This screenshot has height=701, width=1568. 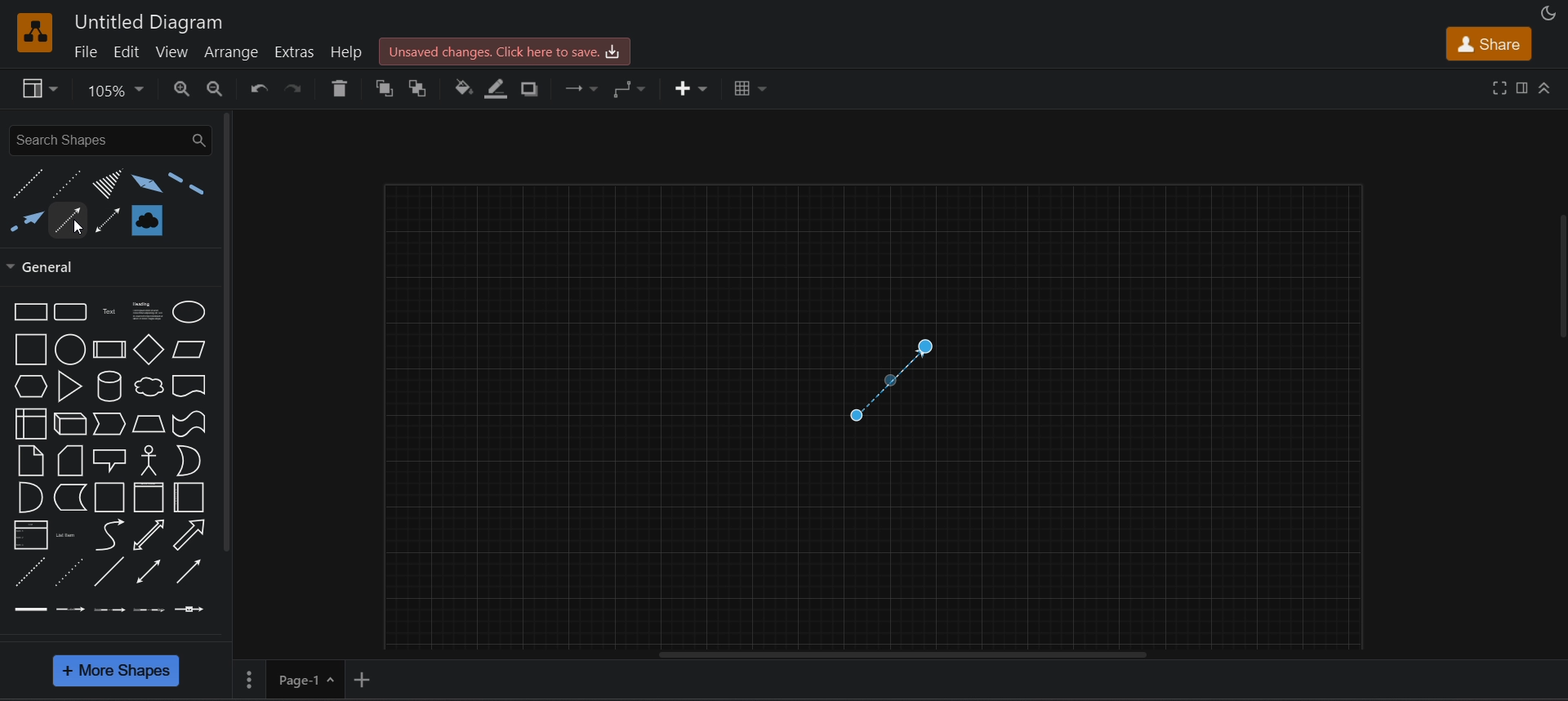 I want to click on cylinder, so click(x=106, y=388).